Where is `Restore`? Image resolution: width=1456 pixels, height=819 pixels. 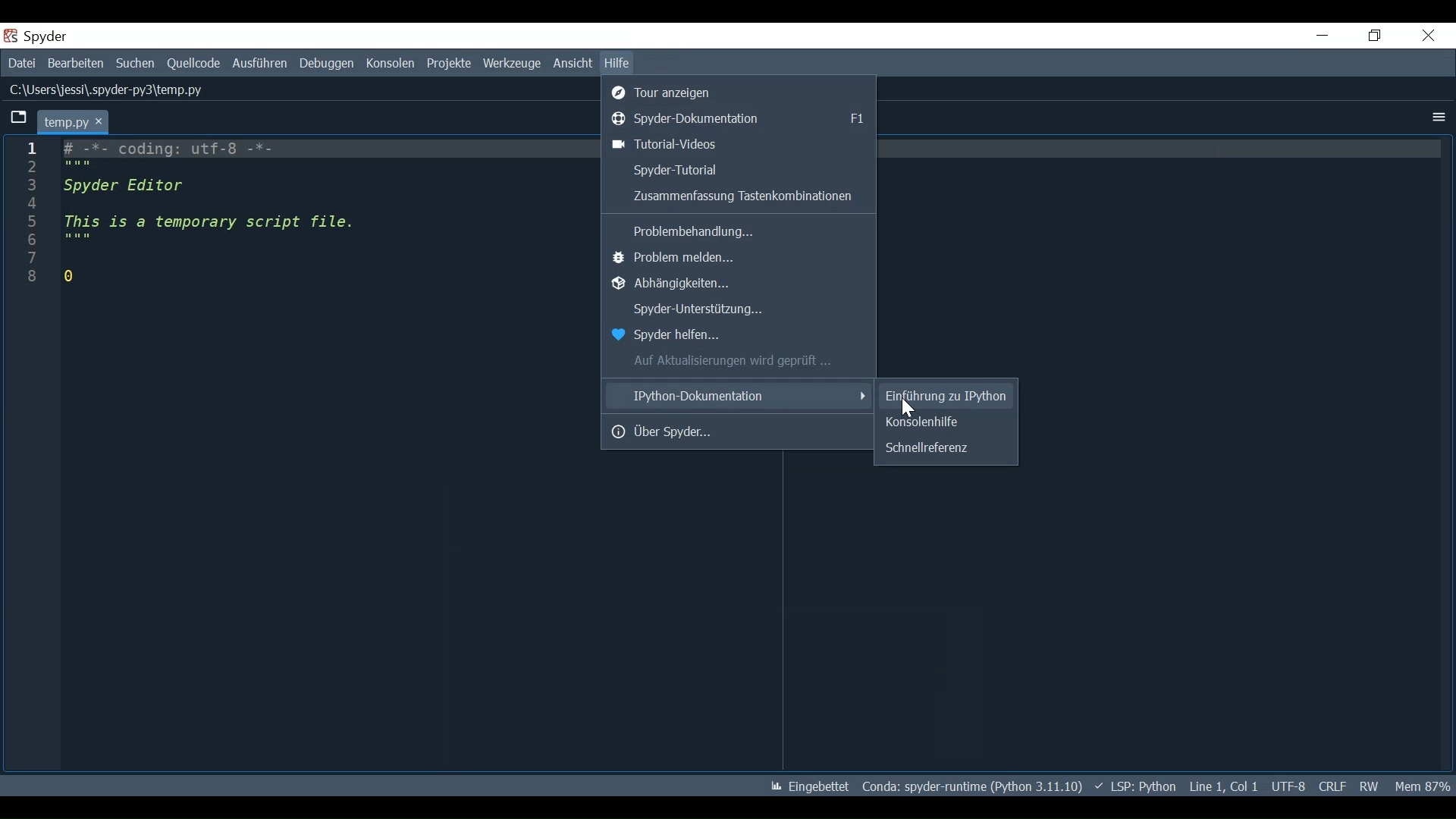
Restore is located at coordinates (1376, 36).